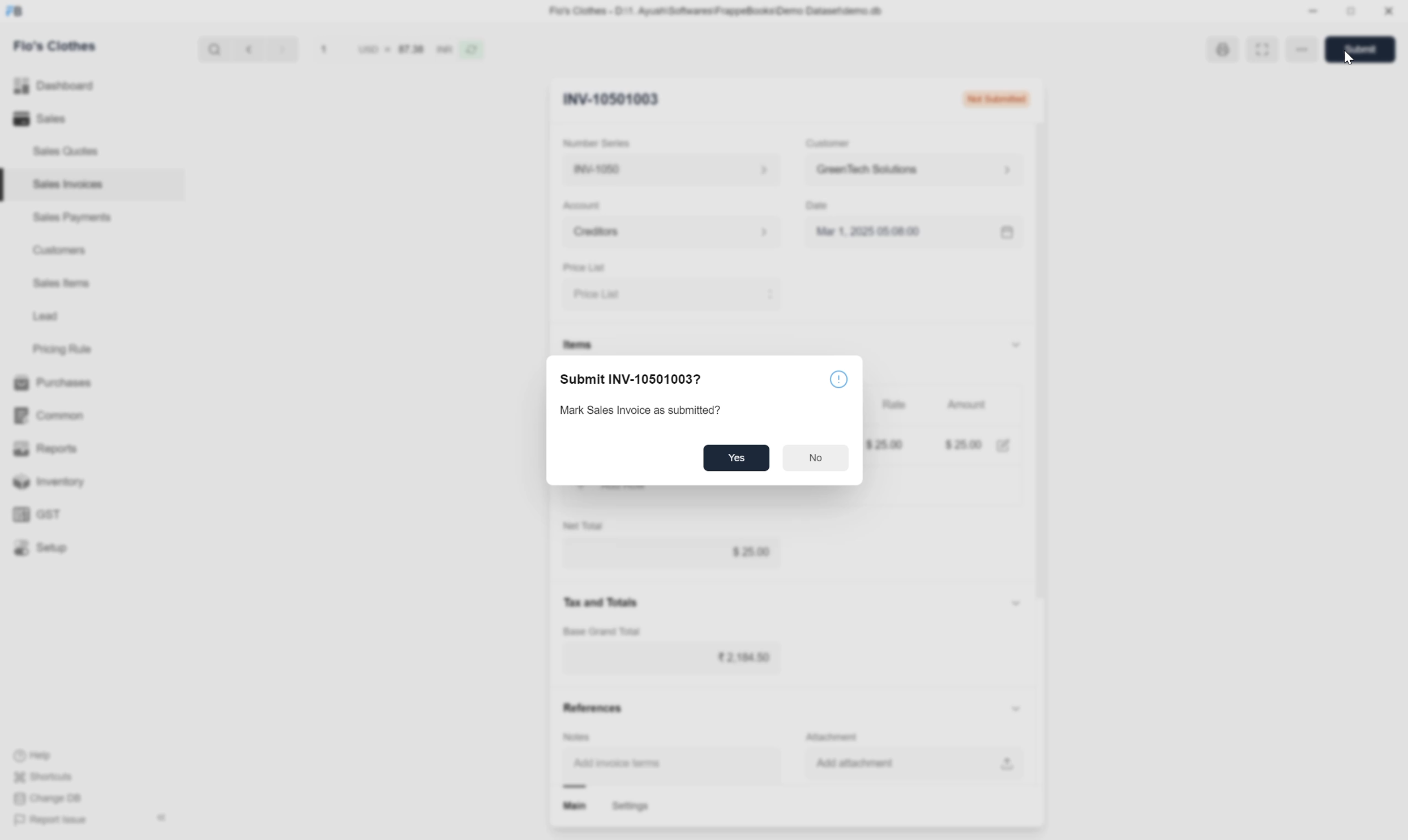  I want to click on Mark Sales Invoice as submitted?, so click(643, 410).